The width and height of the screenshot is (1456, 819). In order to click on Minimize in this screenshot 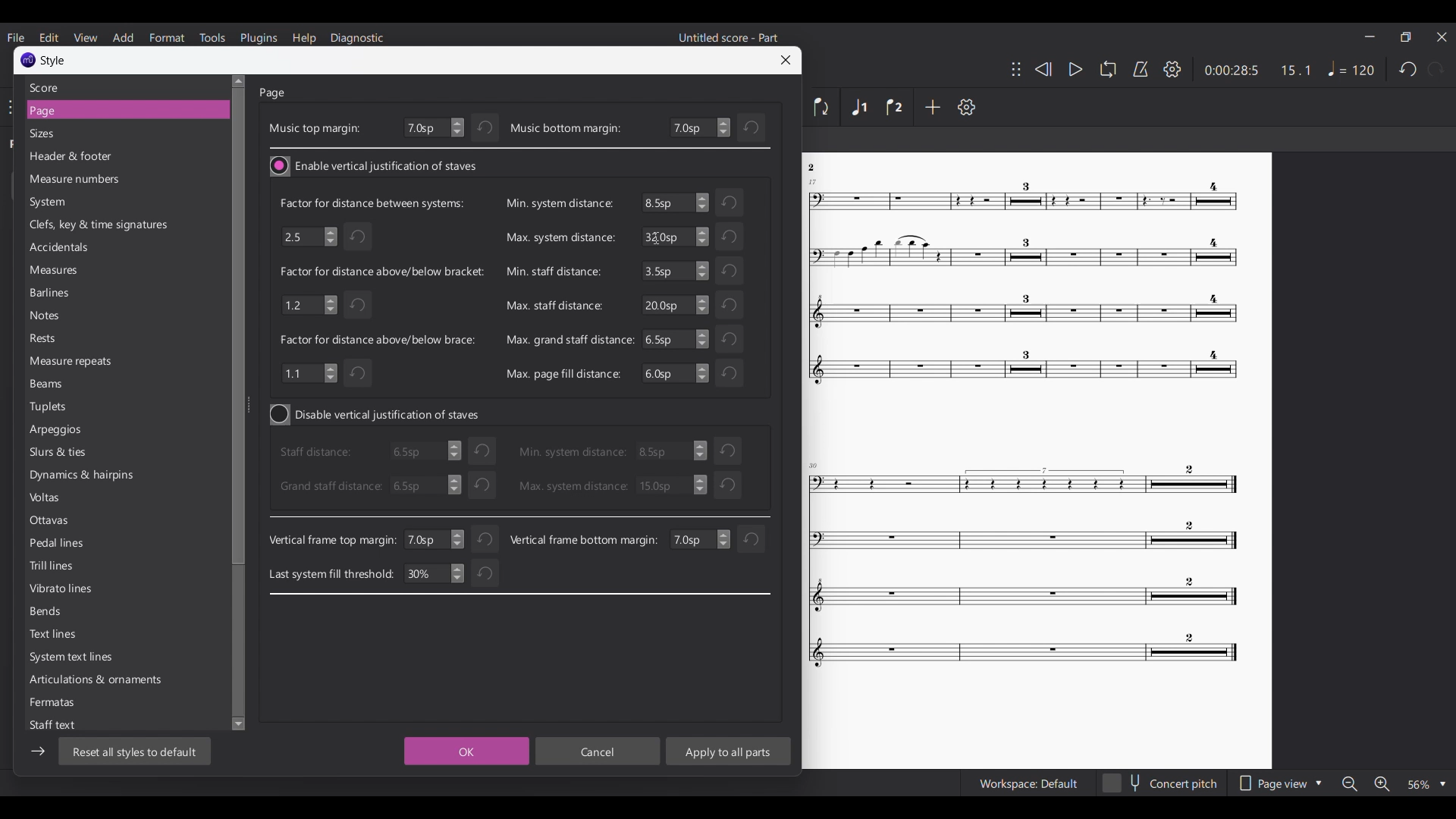, I will do `click(1370, 36)`.